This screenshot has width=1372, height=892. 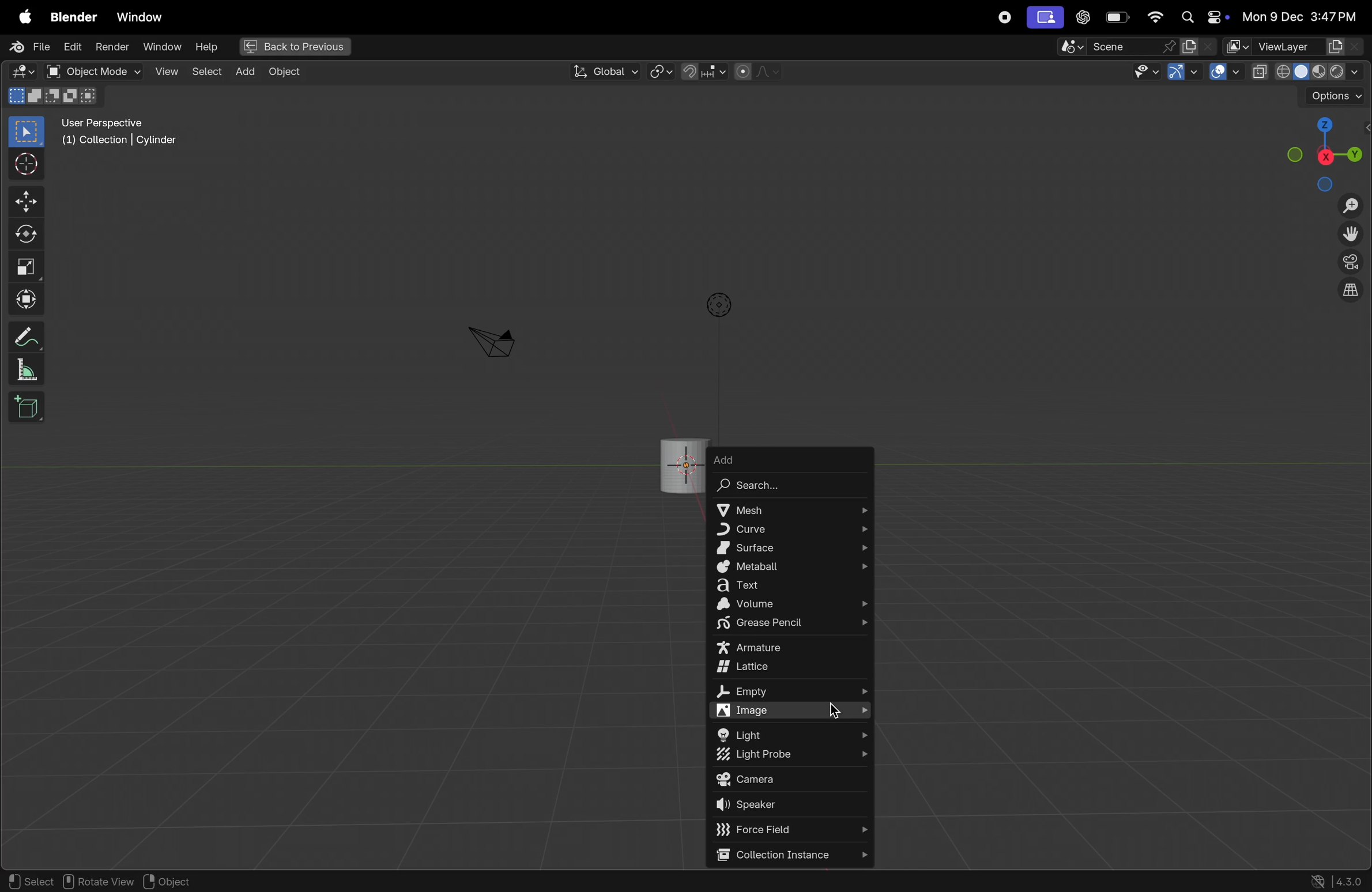 What do you see at coordinates (1326, 151) in the screenshot?
I see `view point` at bounding box center [1326, 151].